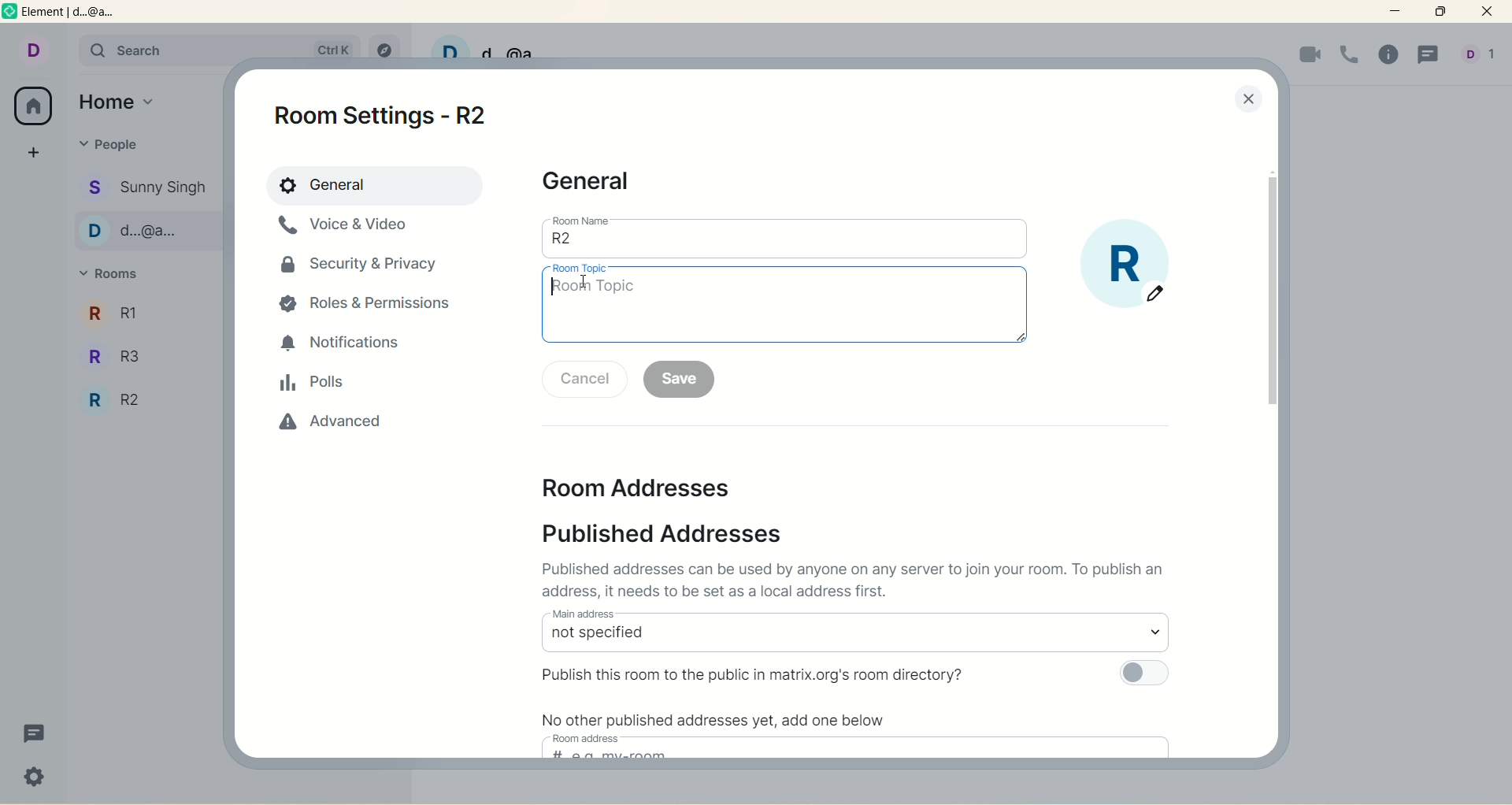  I want to click on room topic, so click(785, 310).